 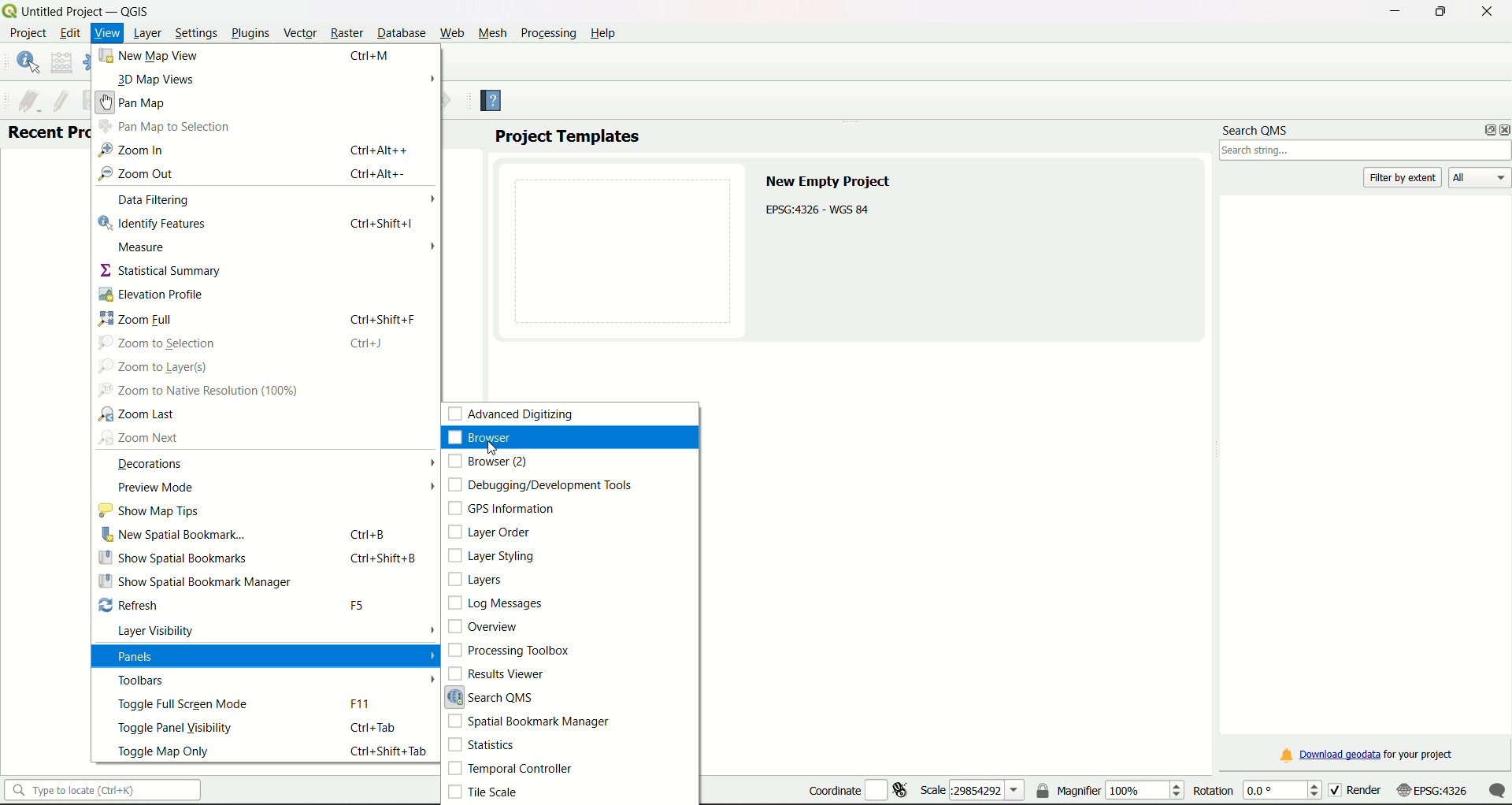 What do you see at coordinates (161, 269) in the screenshot?
I see `statistical summary ` at bounding box center [161, 269].